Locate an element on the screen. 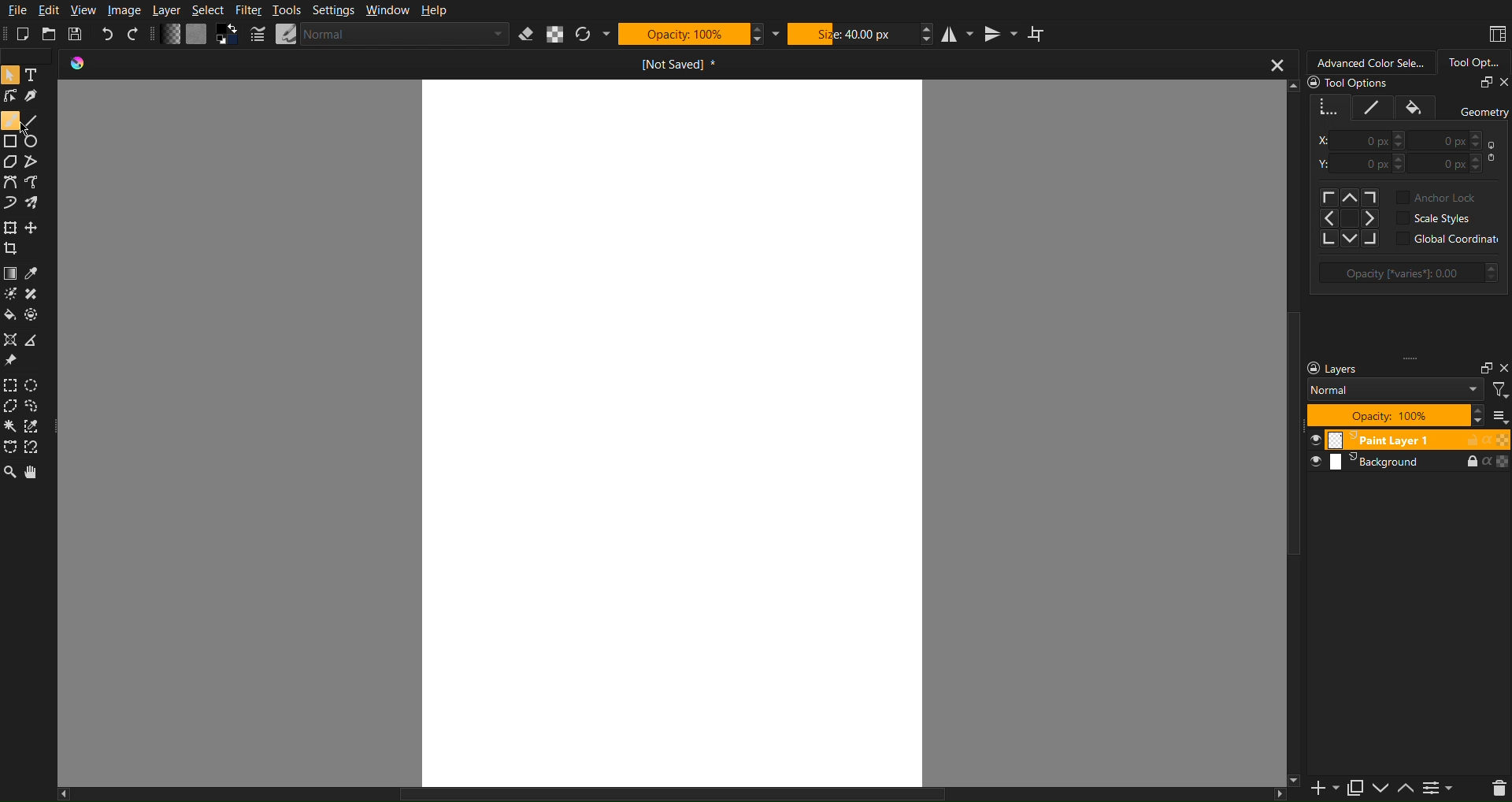 This screenshot has width=1512, height=802. Fullscreen is located at coordinates (1484, 83).